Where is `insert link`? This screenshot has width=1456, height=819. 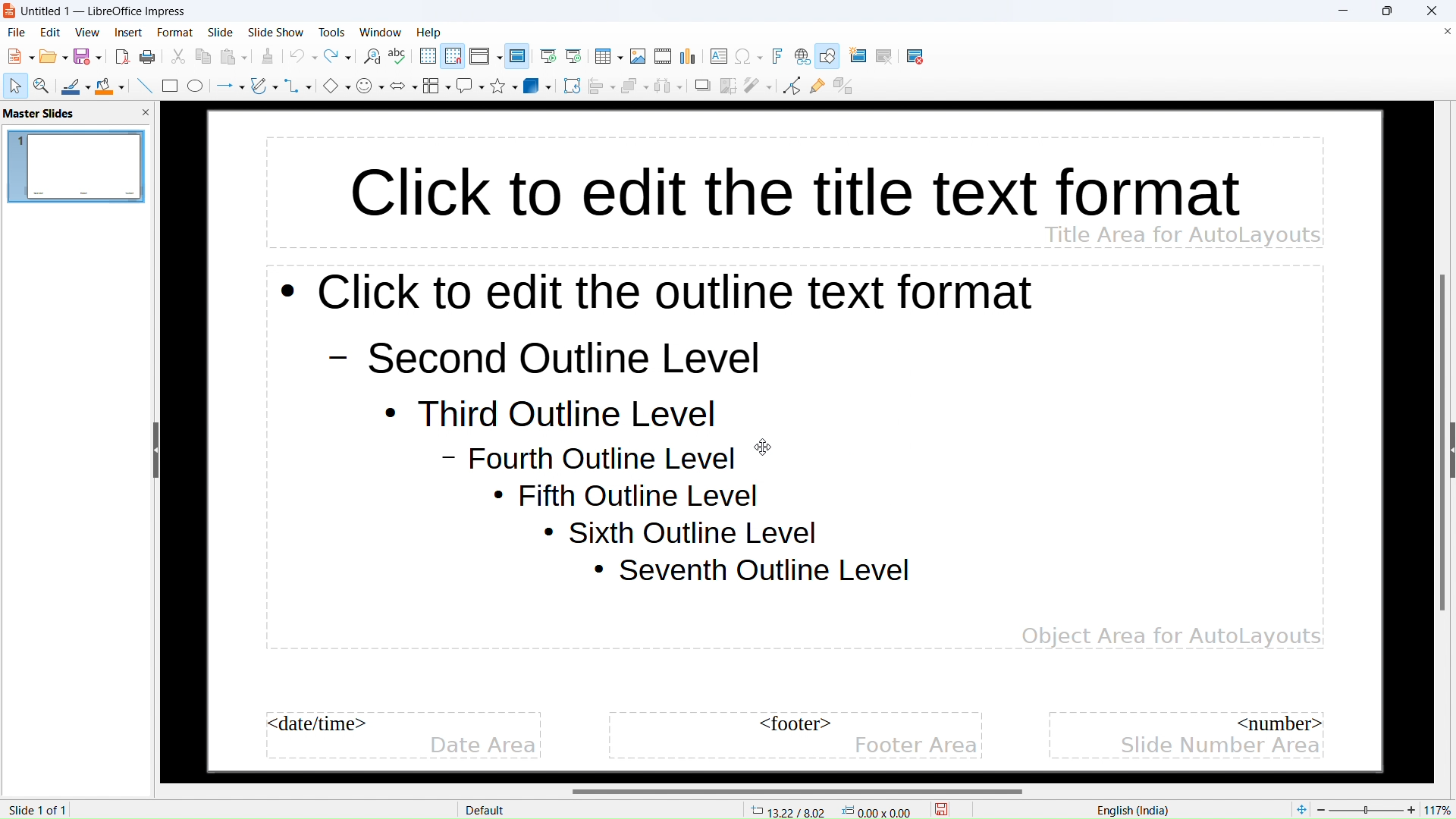 insert link is located at coordinates (802, 57).